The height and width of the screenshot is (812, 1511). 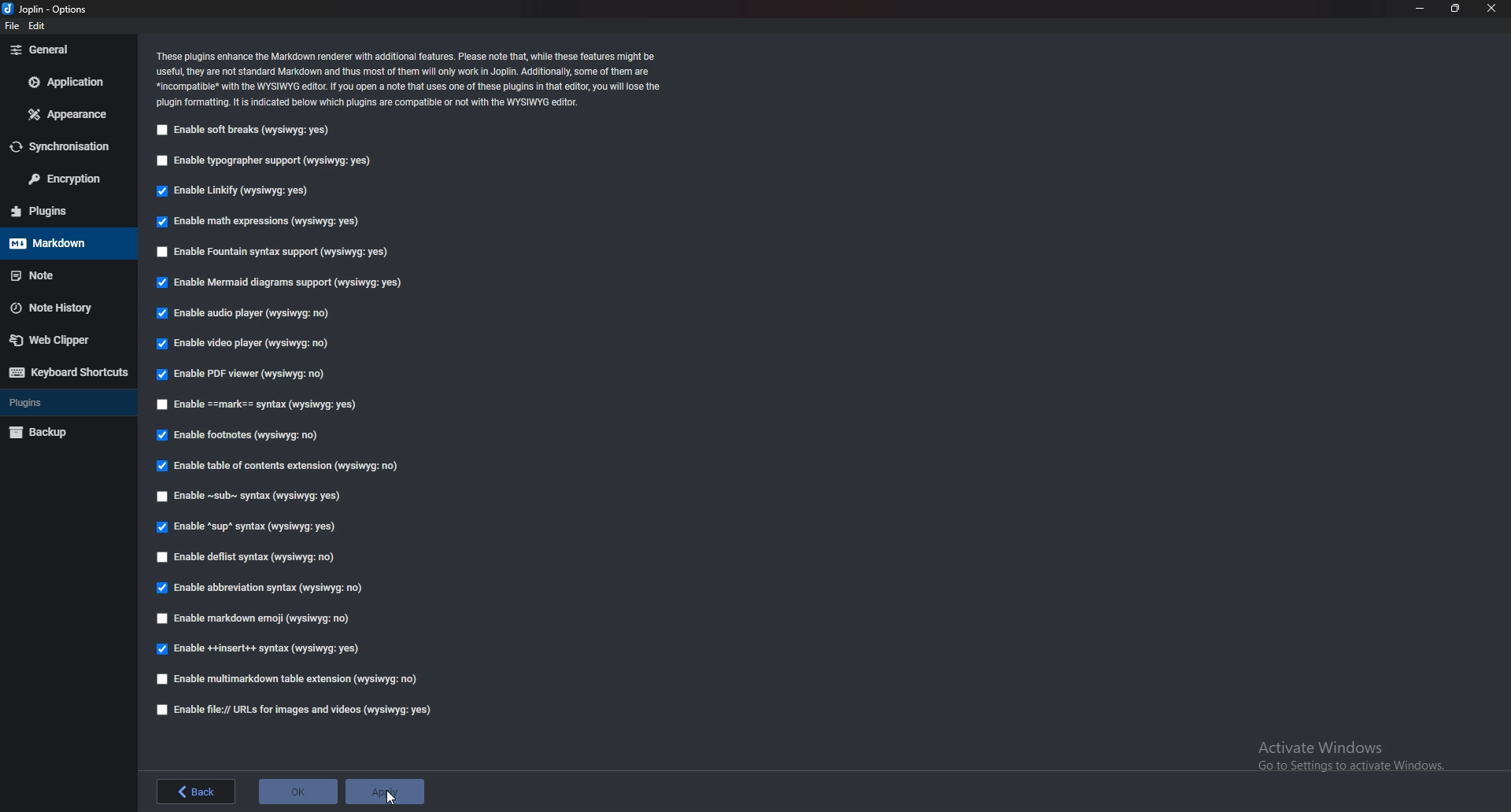 I want to click on file, so click(x=13, y=26).